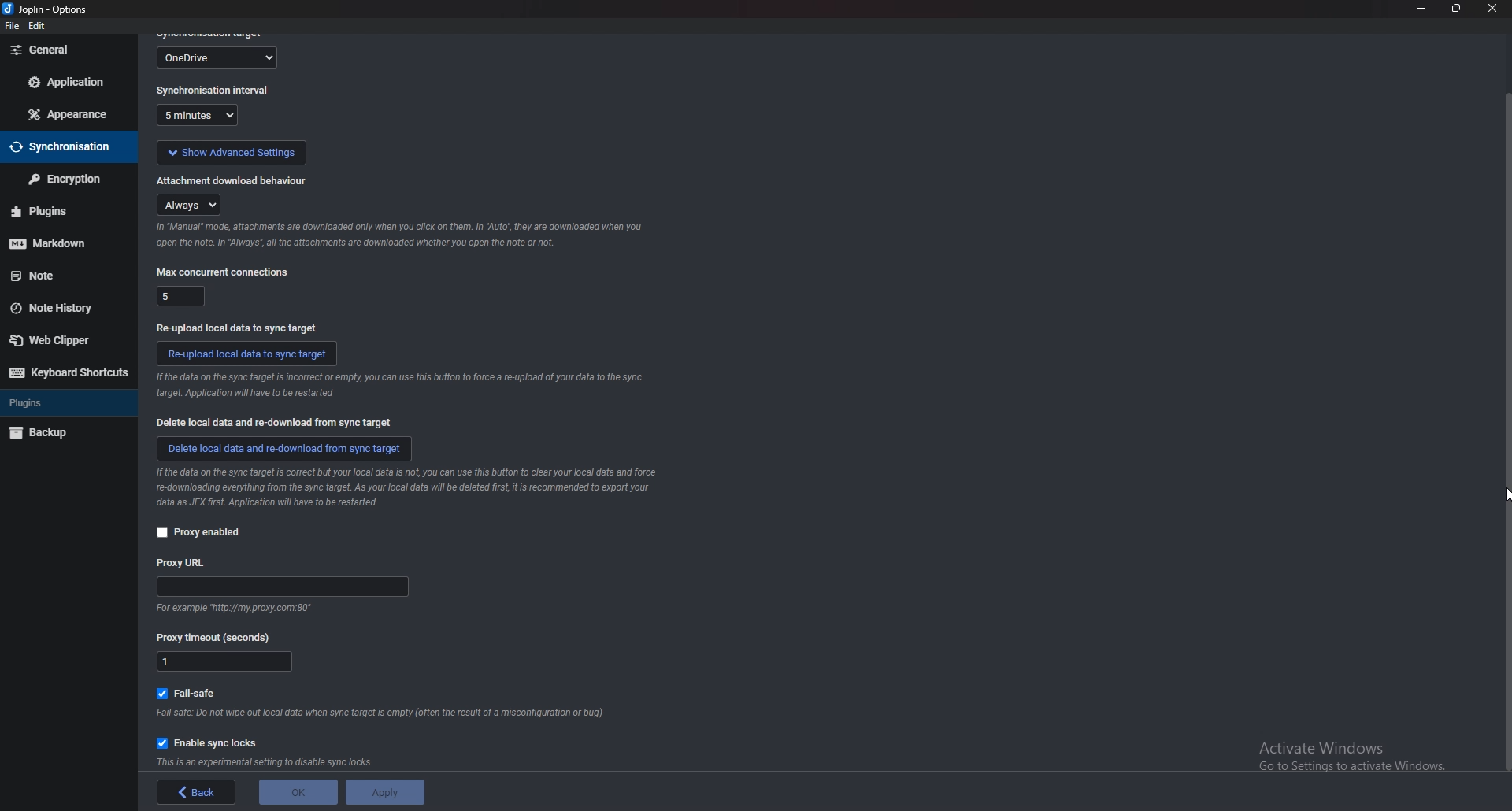  Describe the element at coordinates (248, 353) in the screenshot. I see `reupload local data` at that location.